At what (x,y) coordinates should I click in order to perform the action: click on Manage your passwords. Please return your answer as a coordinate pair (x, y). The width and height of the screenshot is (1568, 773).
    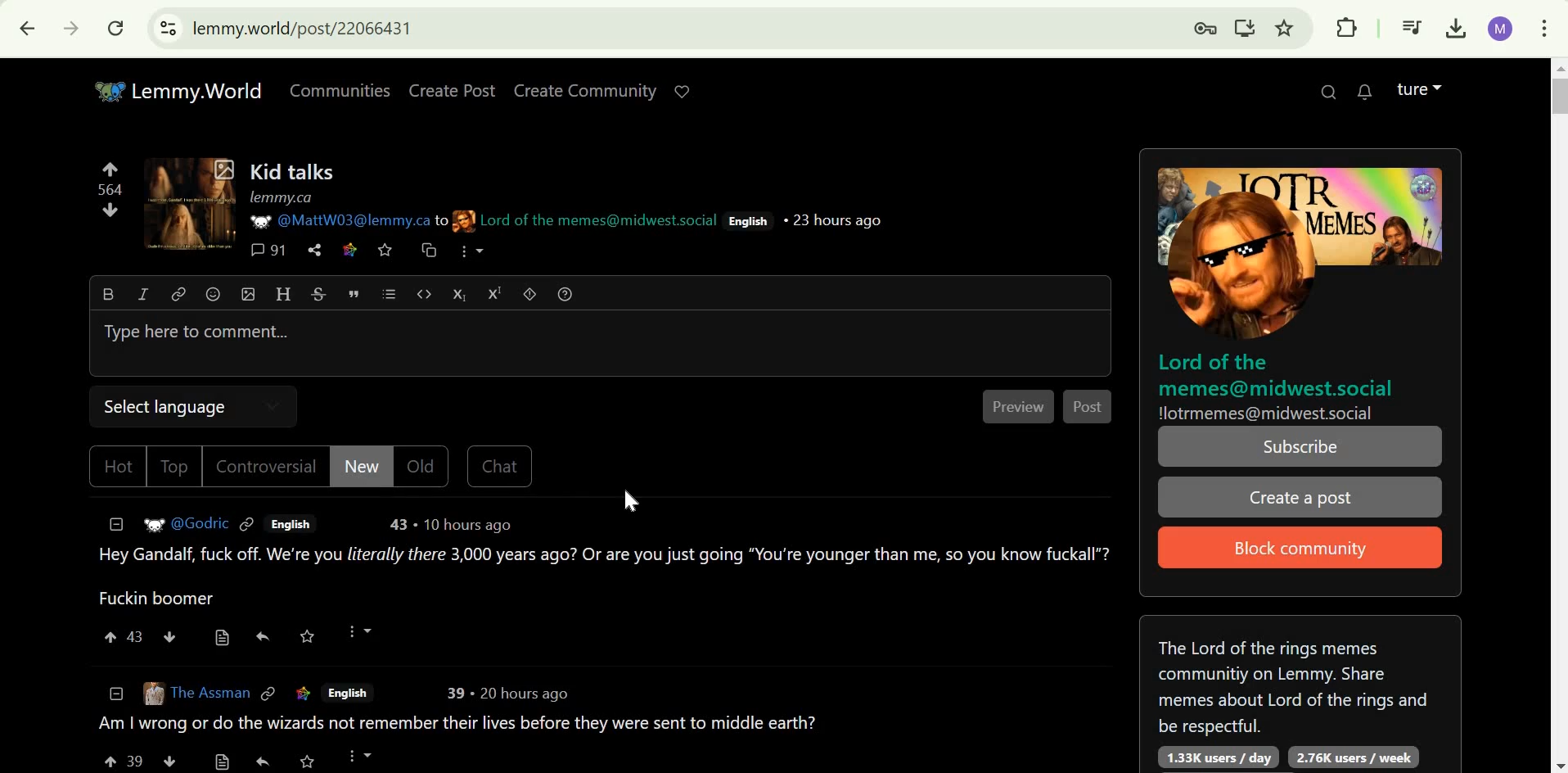
    Looking at the image, I should click on (1205, 29).